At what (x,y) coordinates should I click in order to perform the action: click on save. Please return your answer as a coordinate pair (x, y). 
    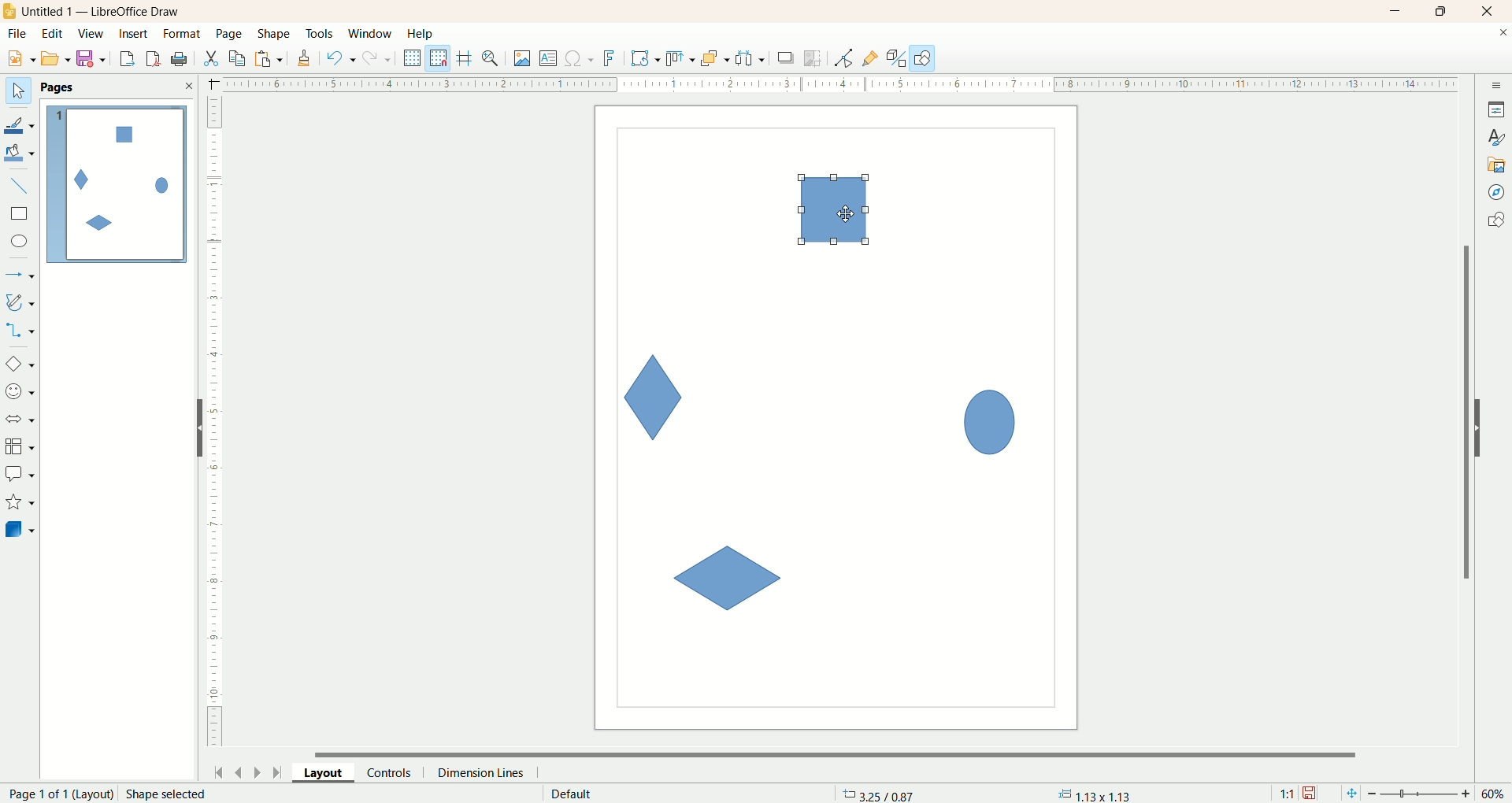
    Looking at the image, I should click on (94, 59).